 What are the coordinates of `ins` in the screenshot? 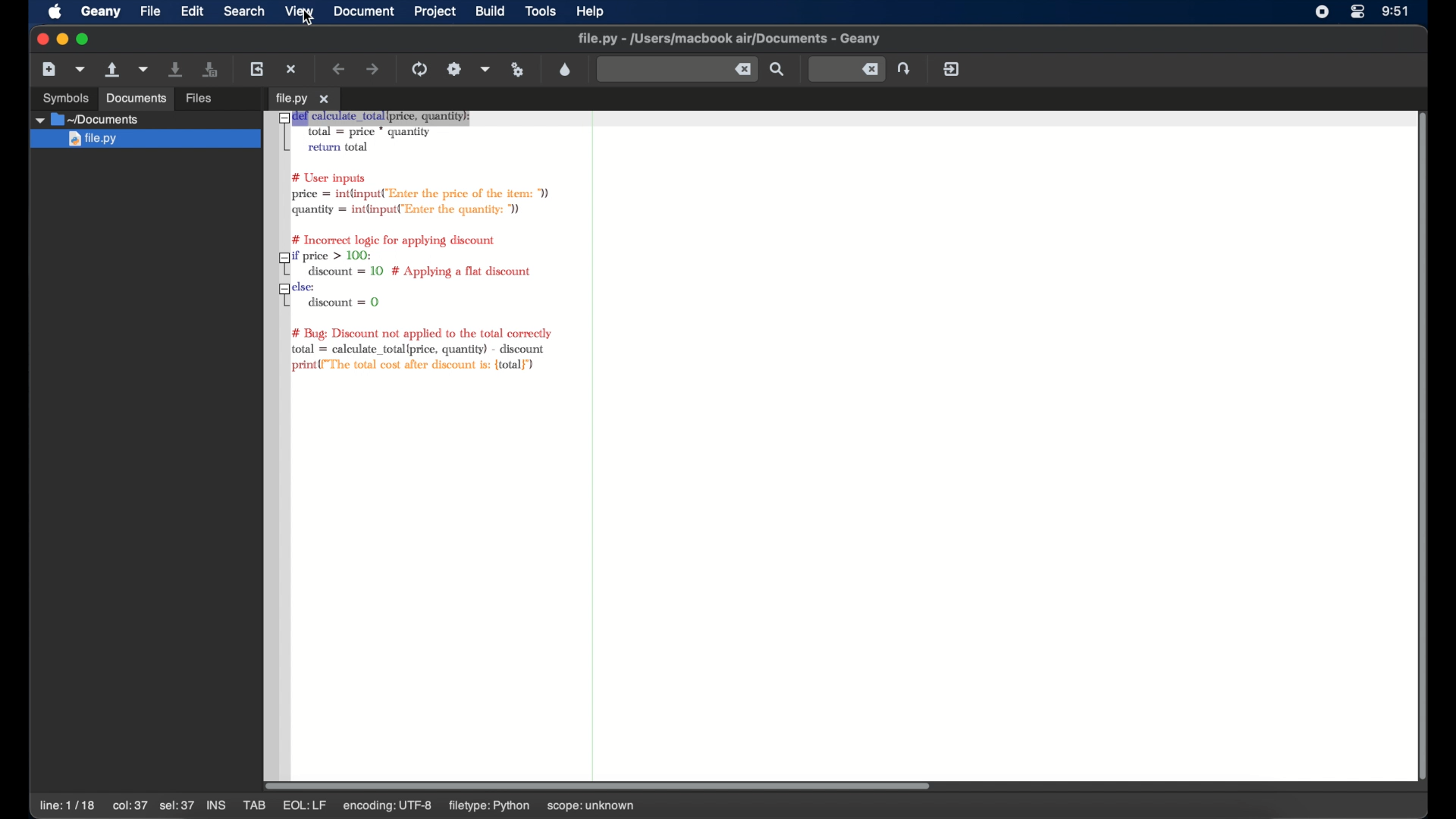 It's located at (215, 804).